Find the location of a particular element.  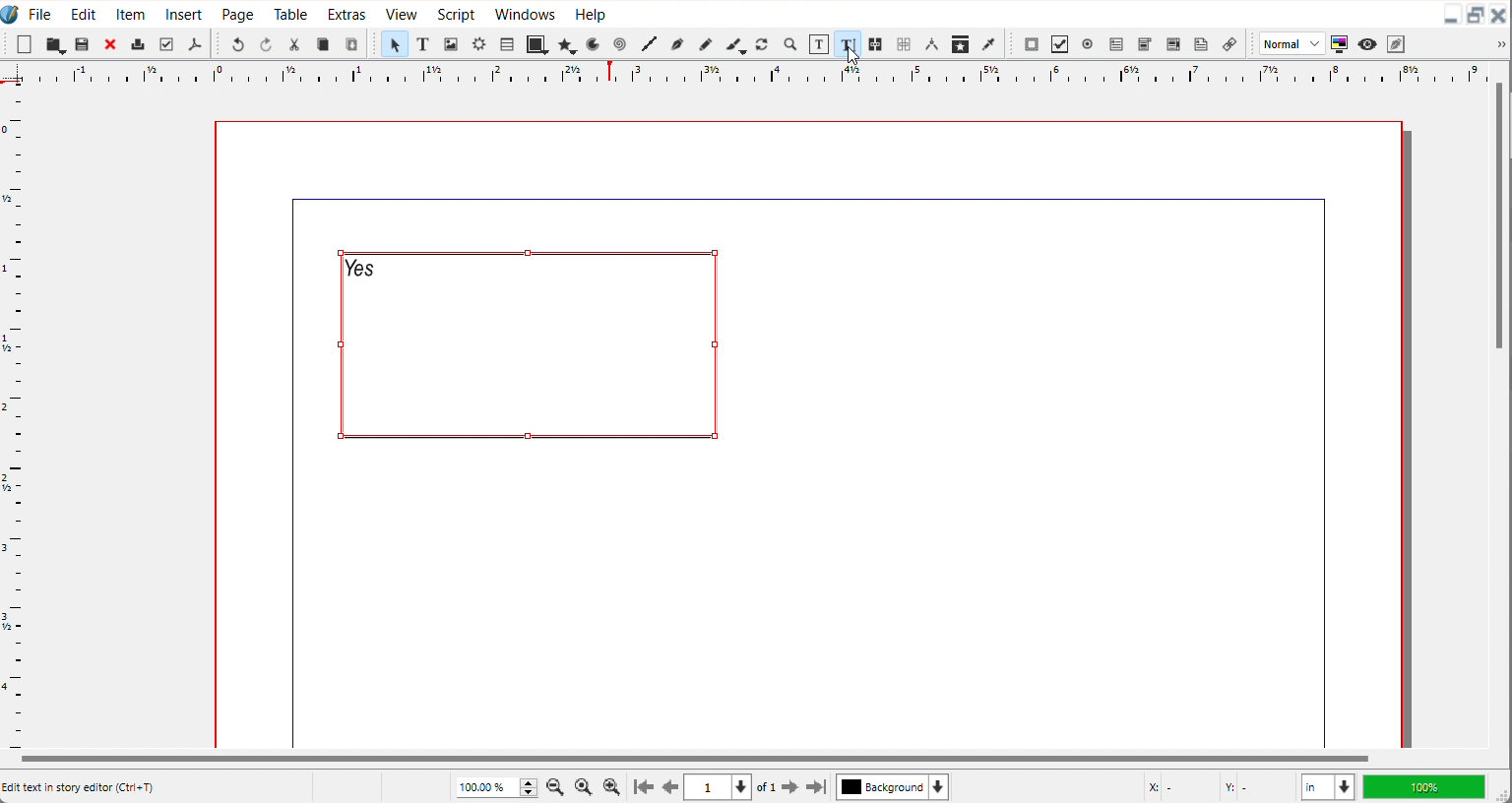

PDF Check Button is located at coordinates (1059, 44).